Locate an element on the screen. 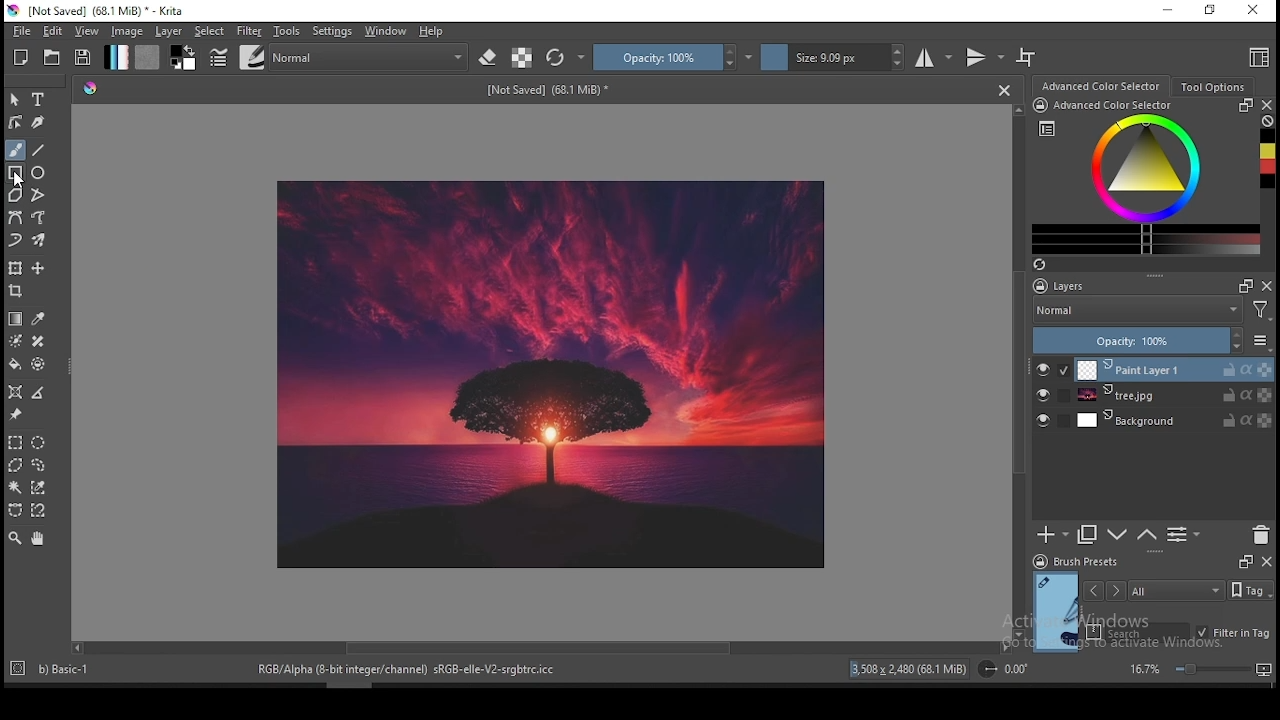 The width and height of the screenshot is (1280, 720). reload original preset is located at coordinates (566, 58).